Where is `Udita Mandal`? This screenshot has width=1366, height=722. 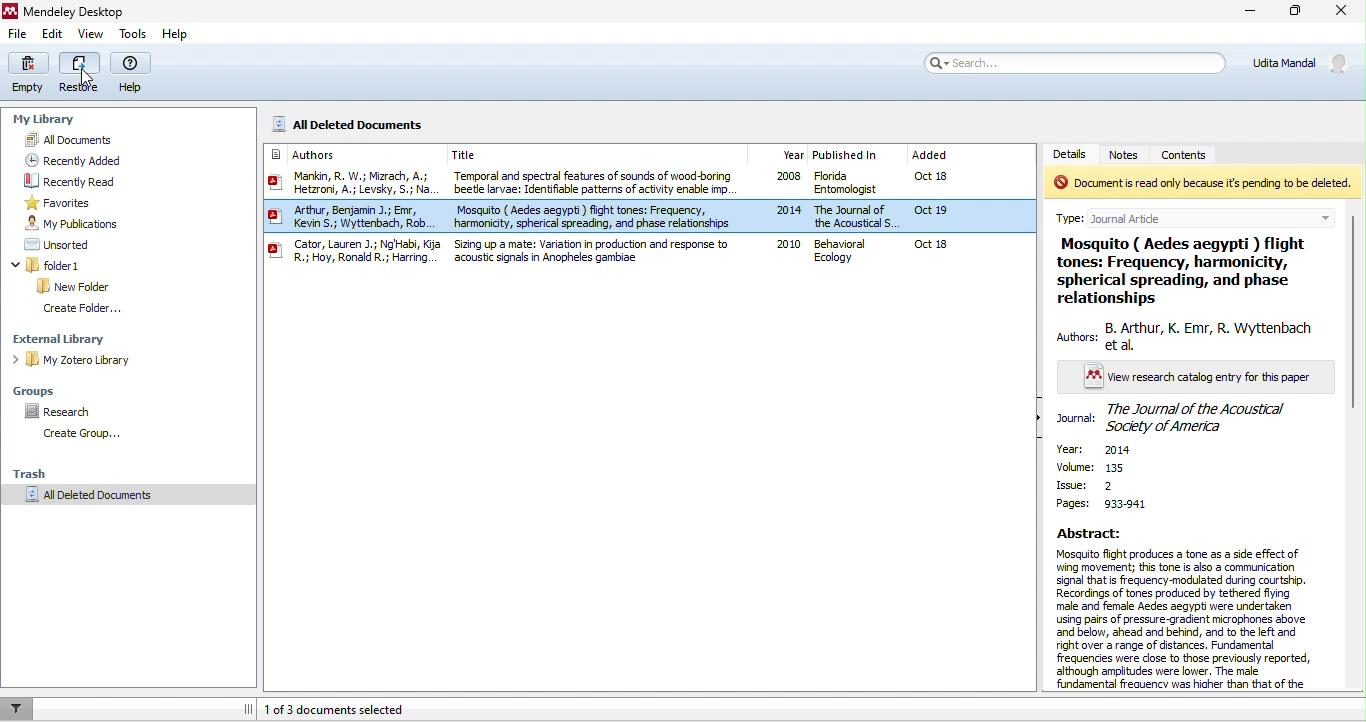 Udita Mandal is located at coordinates (1304, 61).